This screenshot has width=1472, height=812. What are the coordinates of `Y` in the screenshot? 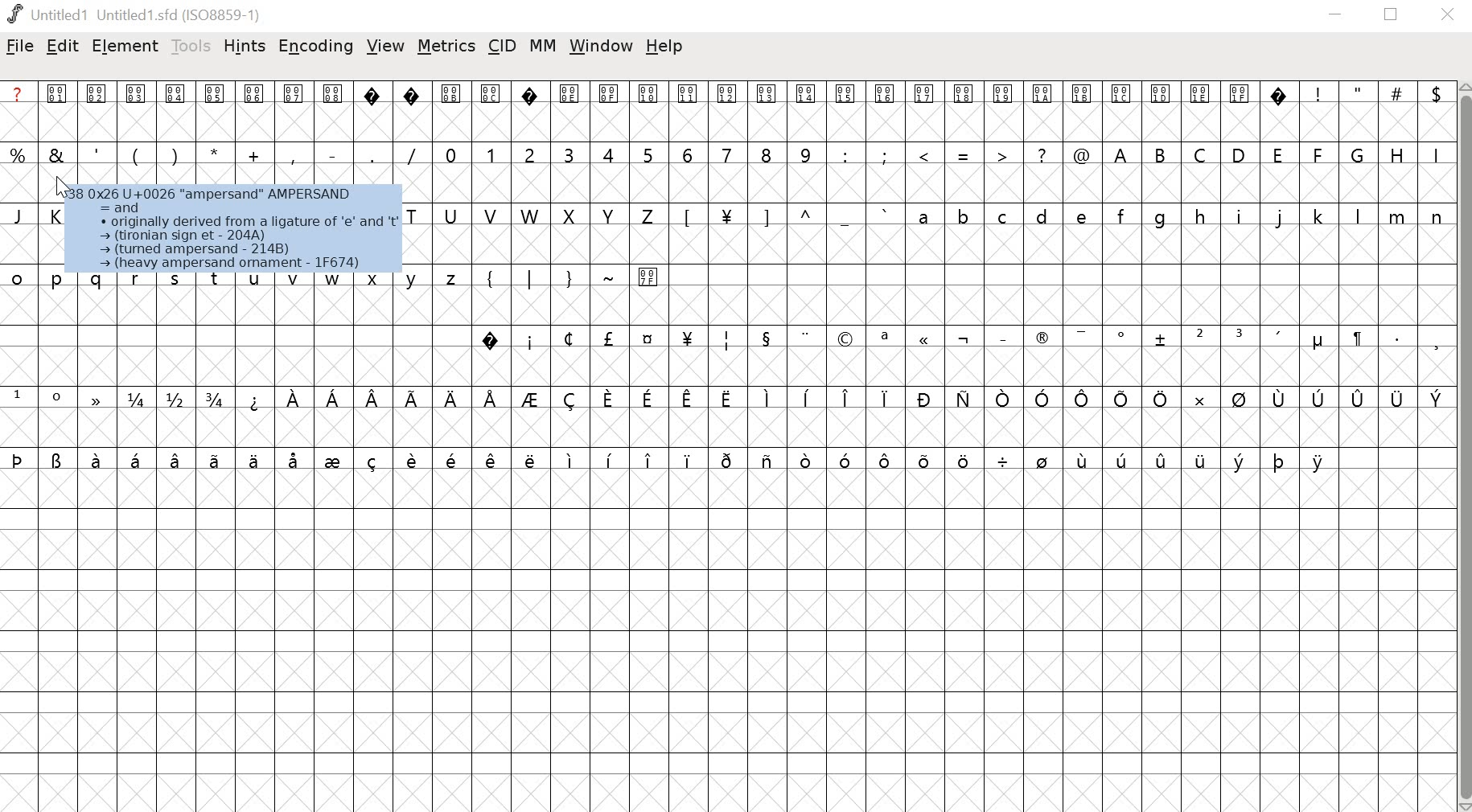 It's located at (611, 215).